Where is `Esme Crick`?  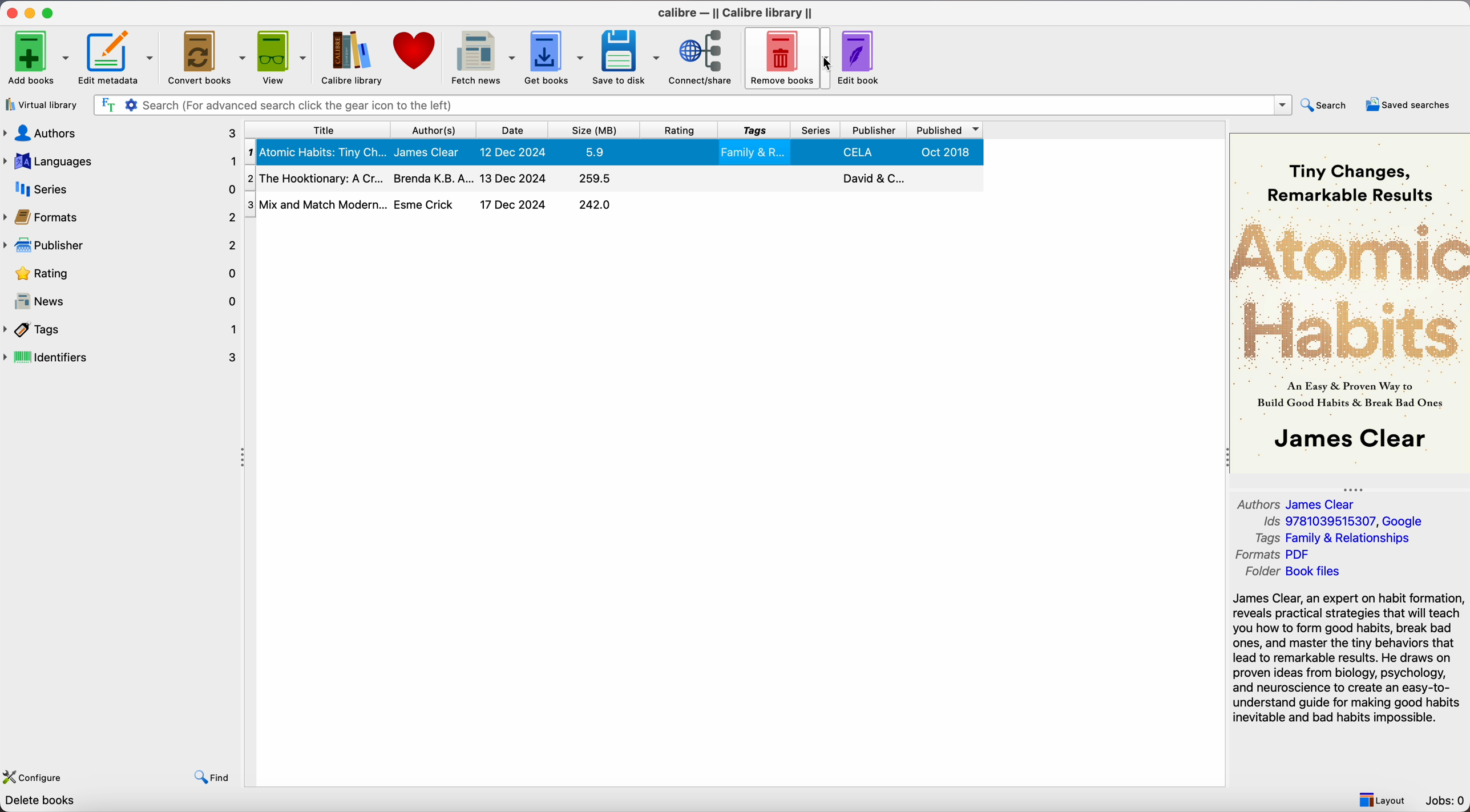 Esme Crick is located at coordinates (427, 204).